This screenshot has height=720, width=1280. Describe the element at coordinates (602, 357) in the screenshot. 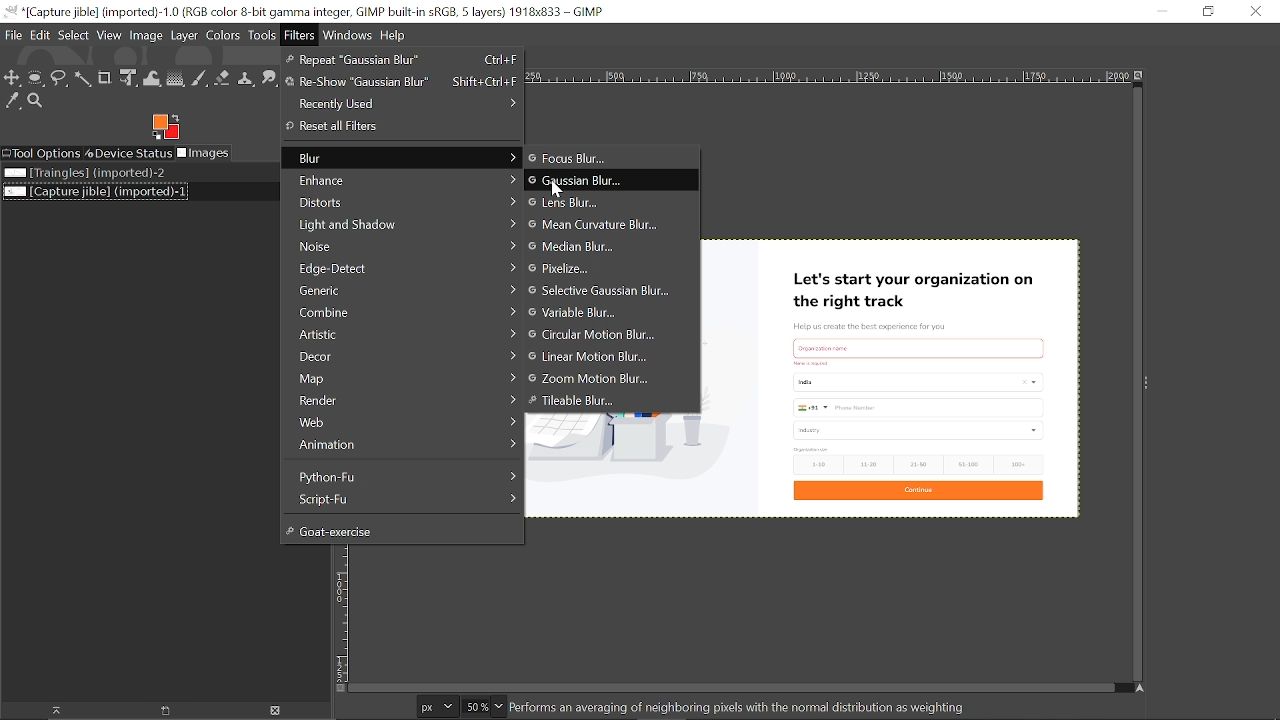

I see `Linear Motion Blur` at that location.